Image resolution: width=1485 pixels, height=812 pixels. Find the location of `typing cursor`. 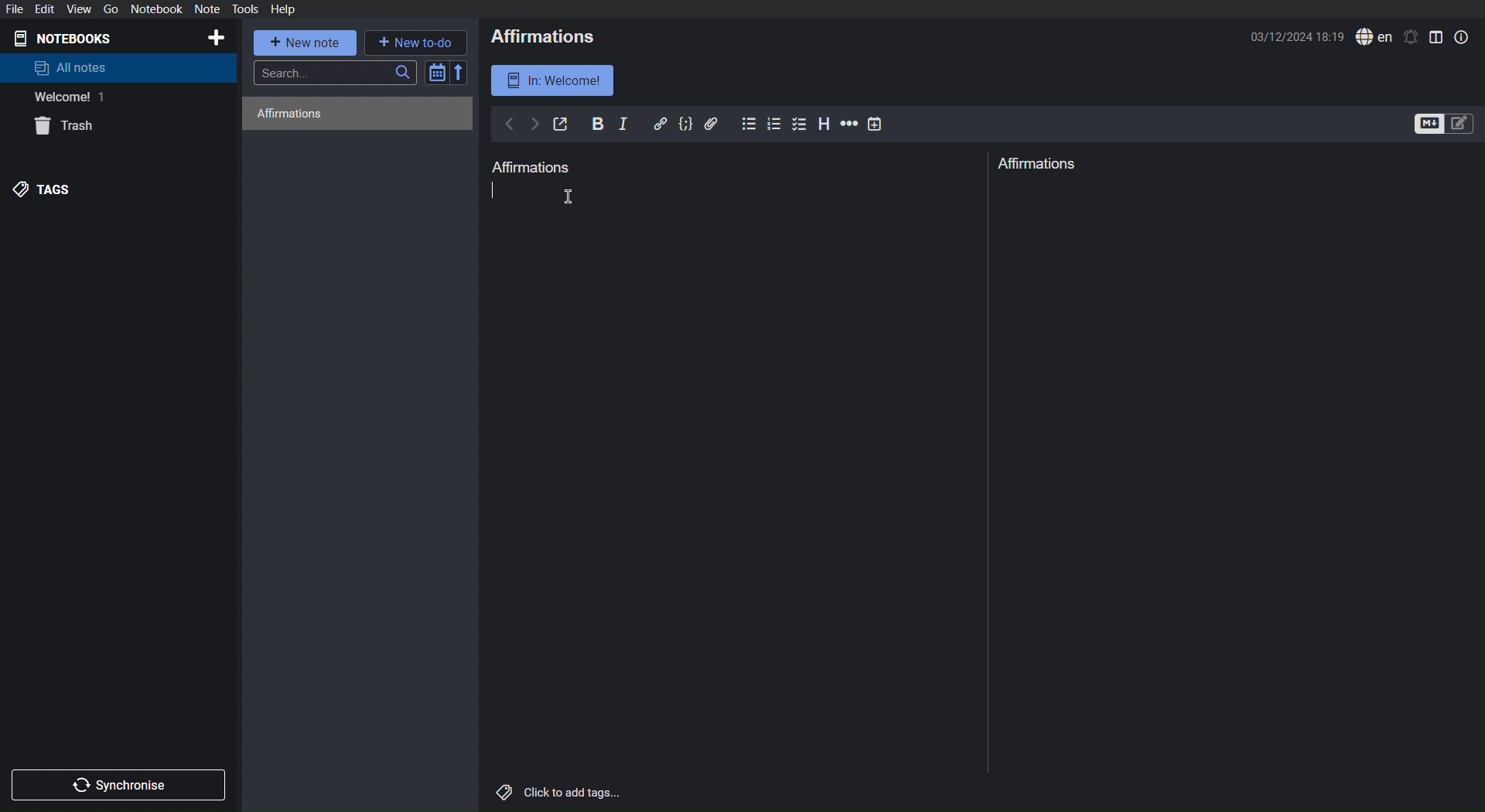

typing cursor is located at coordinates (497, 190).